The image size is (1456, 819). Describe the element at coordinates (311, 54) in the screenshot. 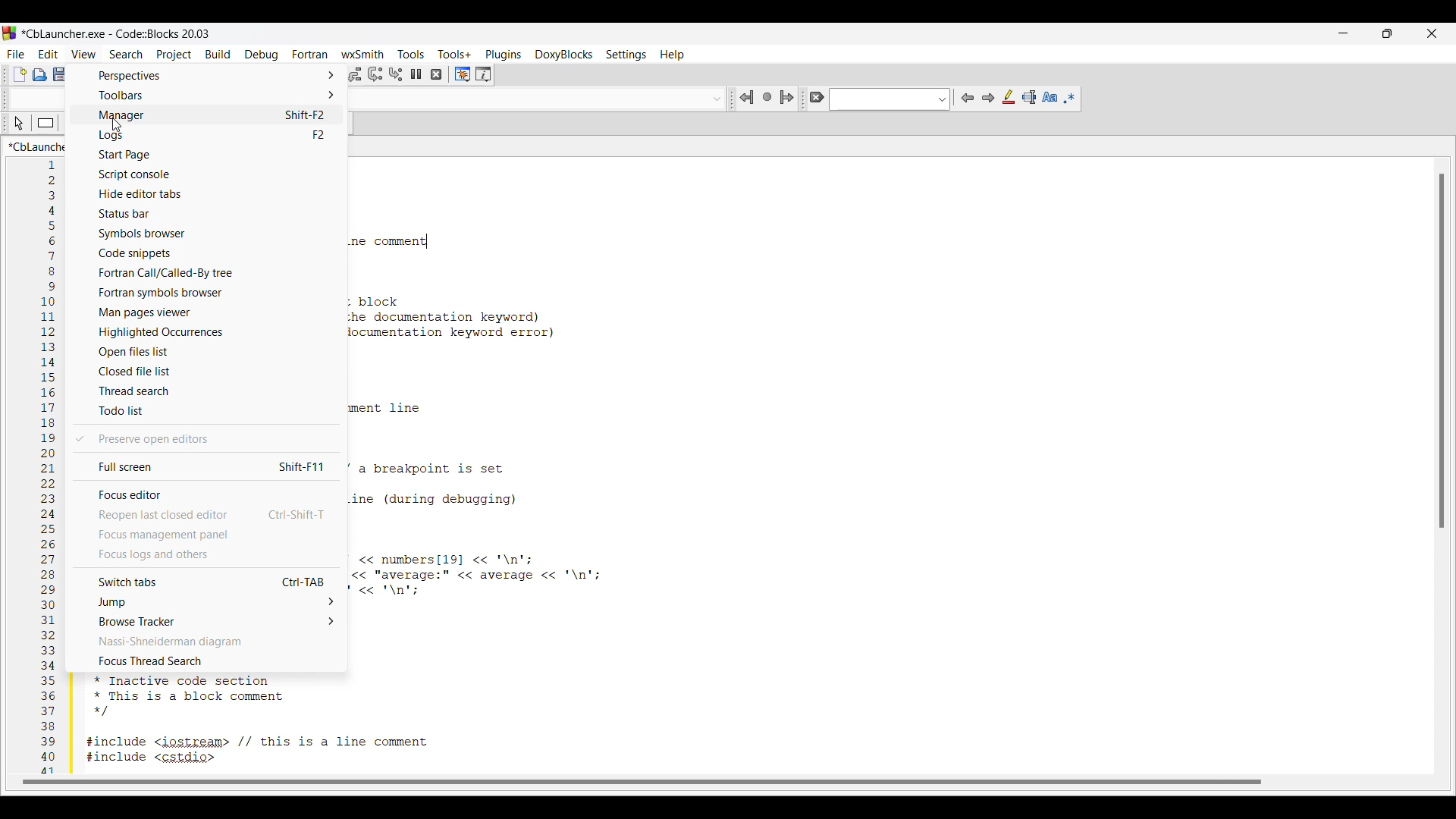

I see `Fortran menu` at that location.